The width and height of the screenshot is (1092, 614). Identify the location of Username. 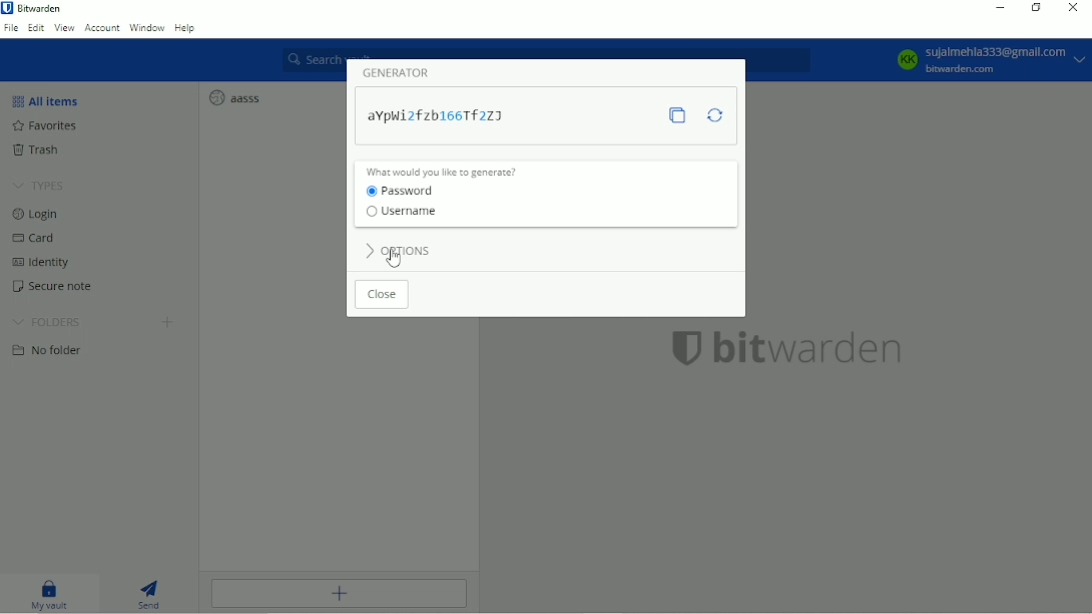
(402, 214).